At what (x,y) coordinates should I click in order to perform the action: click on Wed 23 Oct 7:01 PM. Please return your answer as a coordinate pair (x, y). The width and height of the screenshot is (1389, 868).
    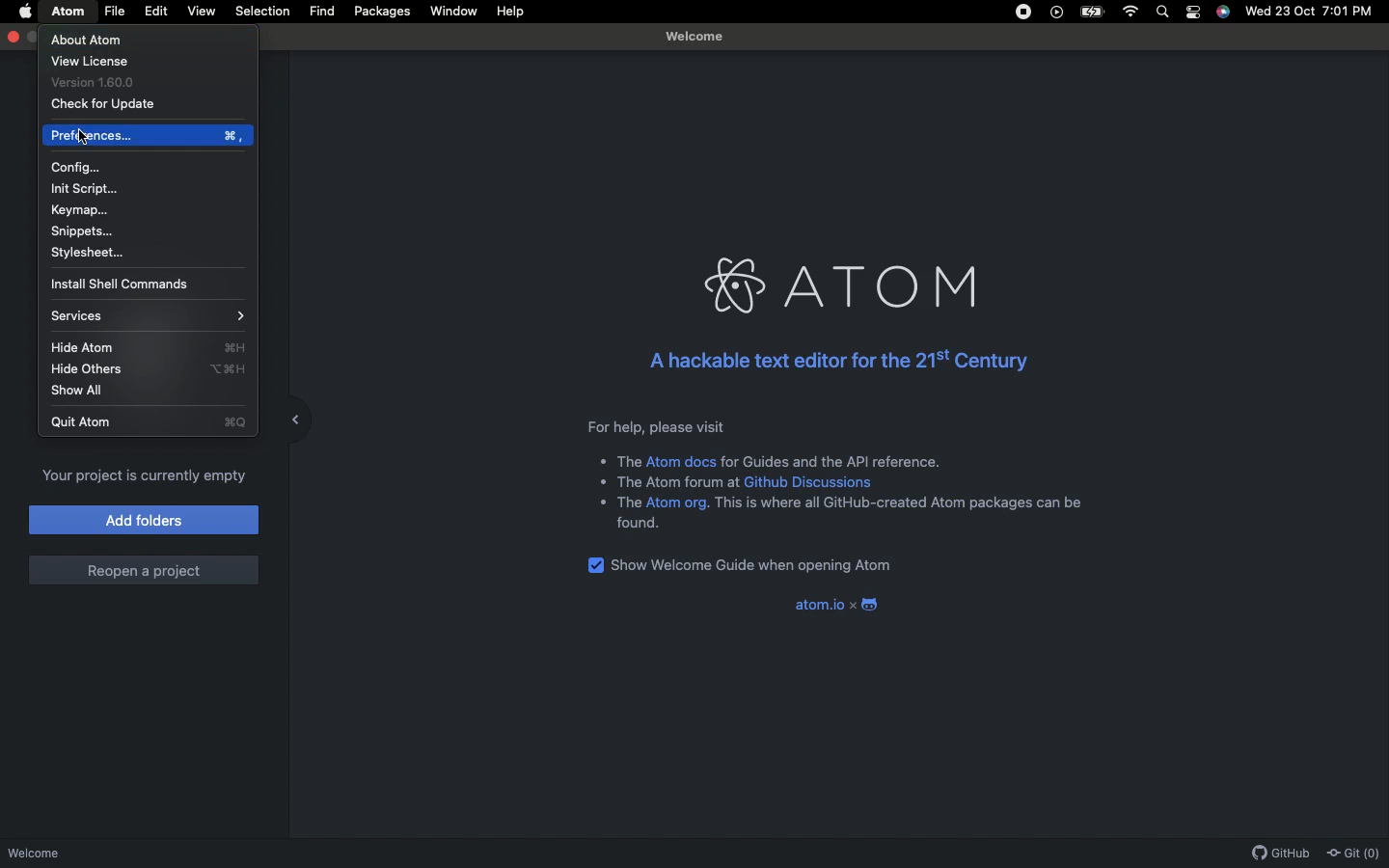
    Looking at the image, I should click on (1311, 13).